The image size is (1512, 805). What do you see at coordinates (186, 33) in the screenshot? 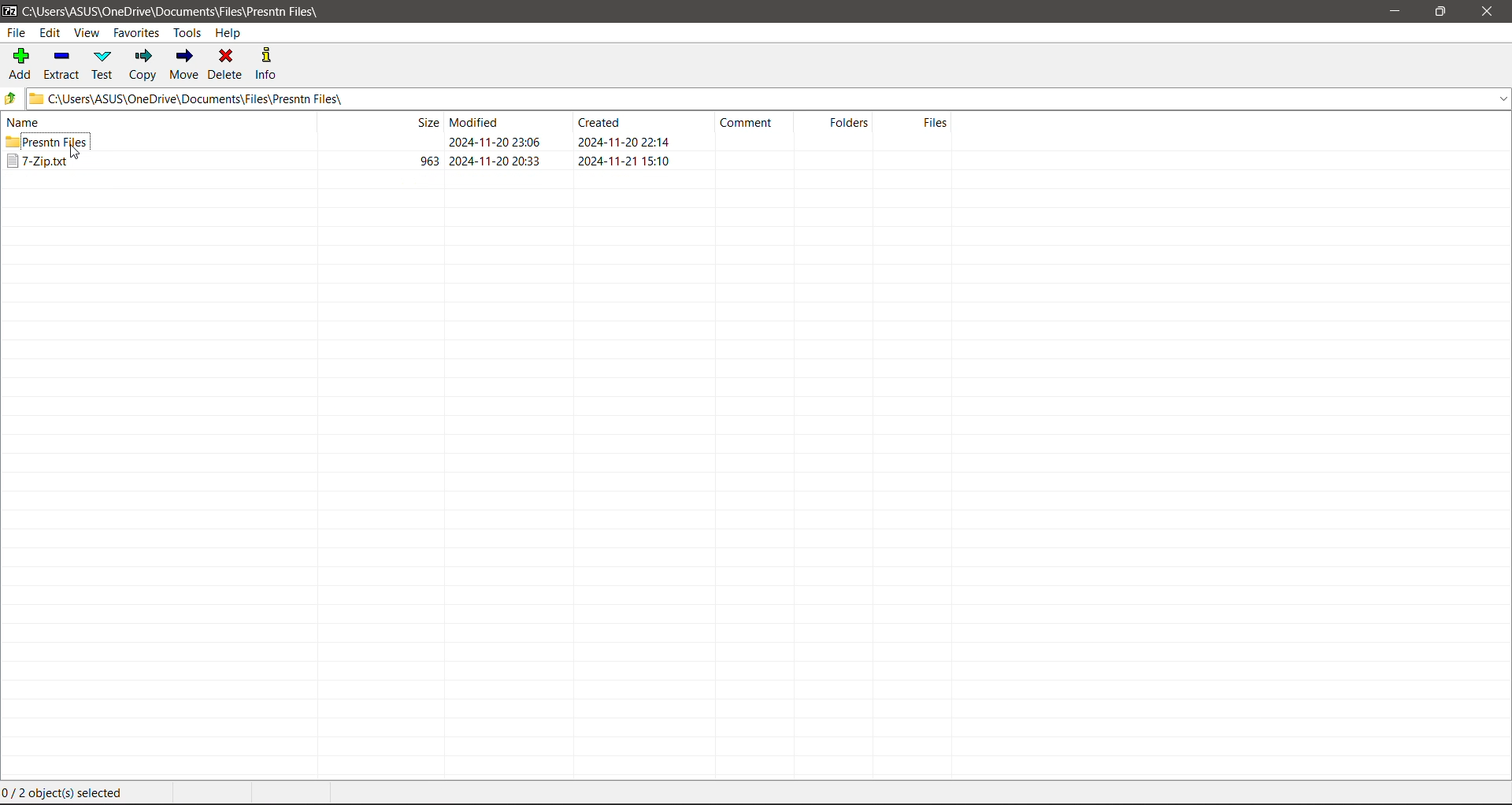
I see `Tools` at bounding box center [186, 33].